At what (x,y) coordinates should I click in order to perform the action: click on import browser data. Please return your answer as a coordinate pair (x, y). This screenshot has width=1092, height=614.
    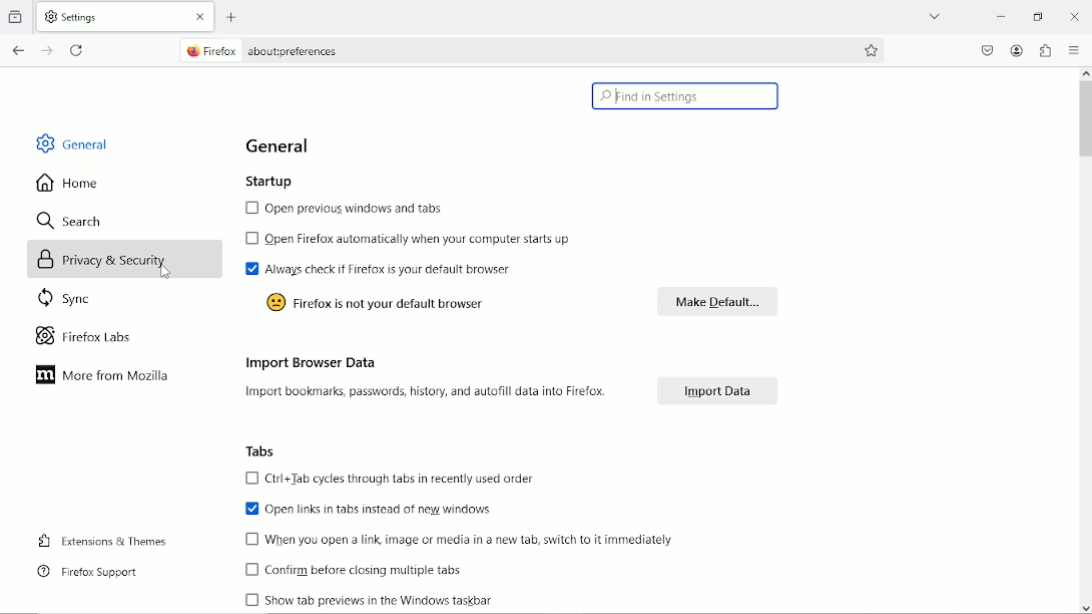
    Looking at the image, I should click on (305, 362).